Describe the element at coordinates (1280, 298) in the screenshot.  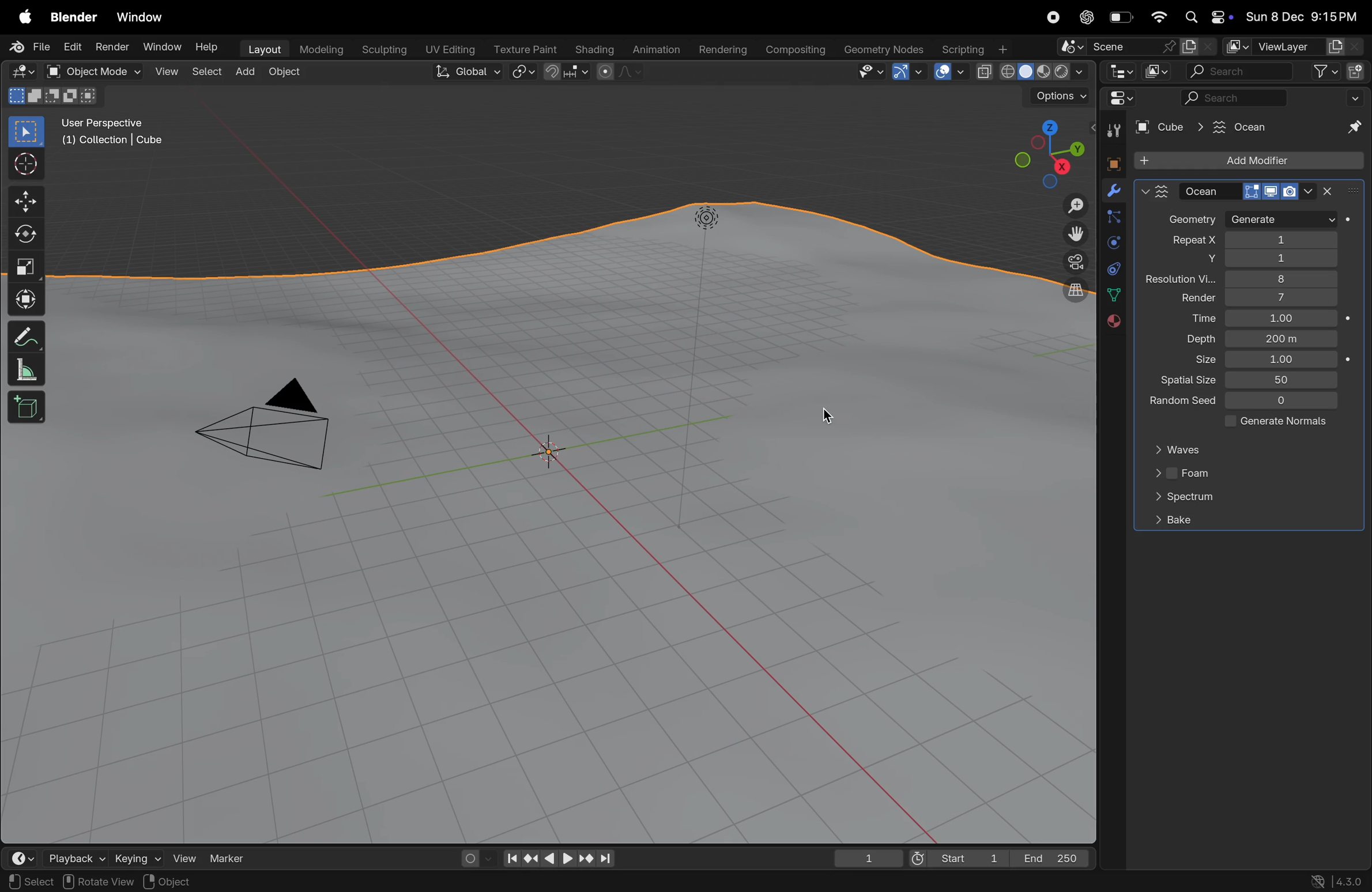
I see `7` at that location.